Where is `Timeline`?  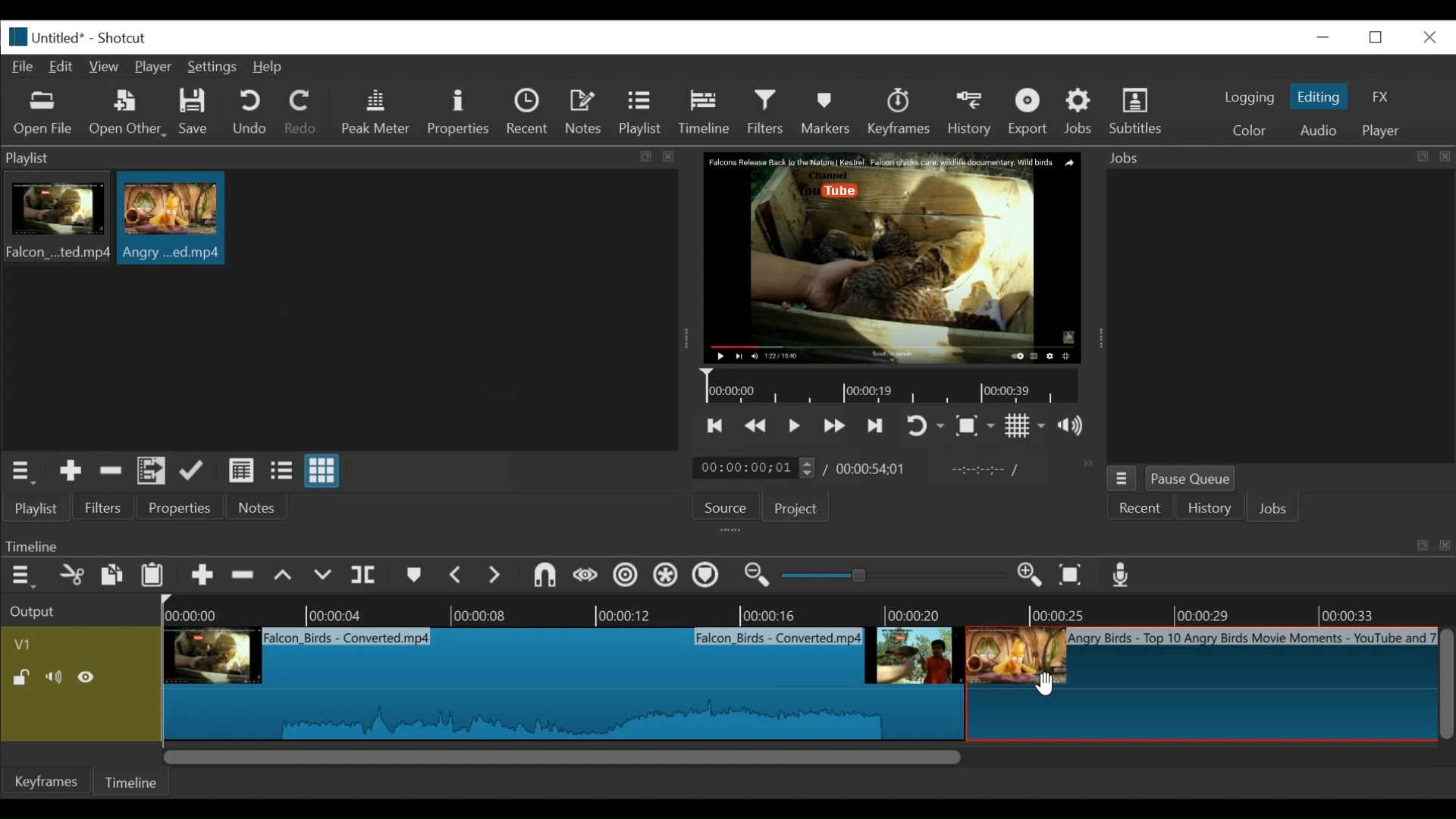
Timeline is located at coordinates (134, 780).